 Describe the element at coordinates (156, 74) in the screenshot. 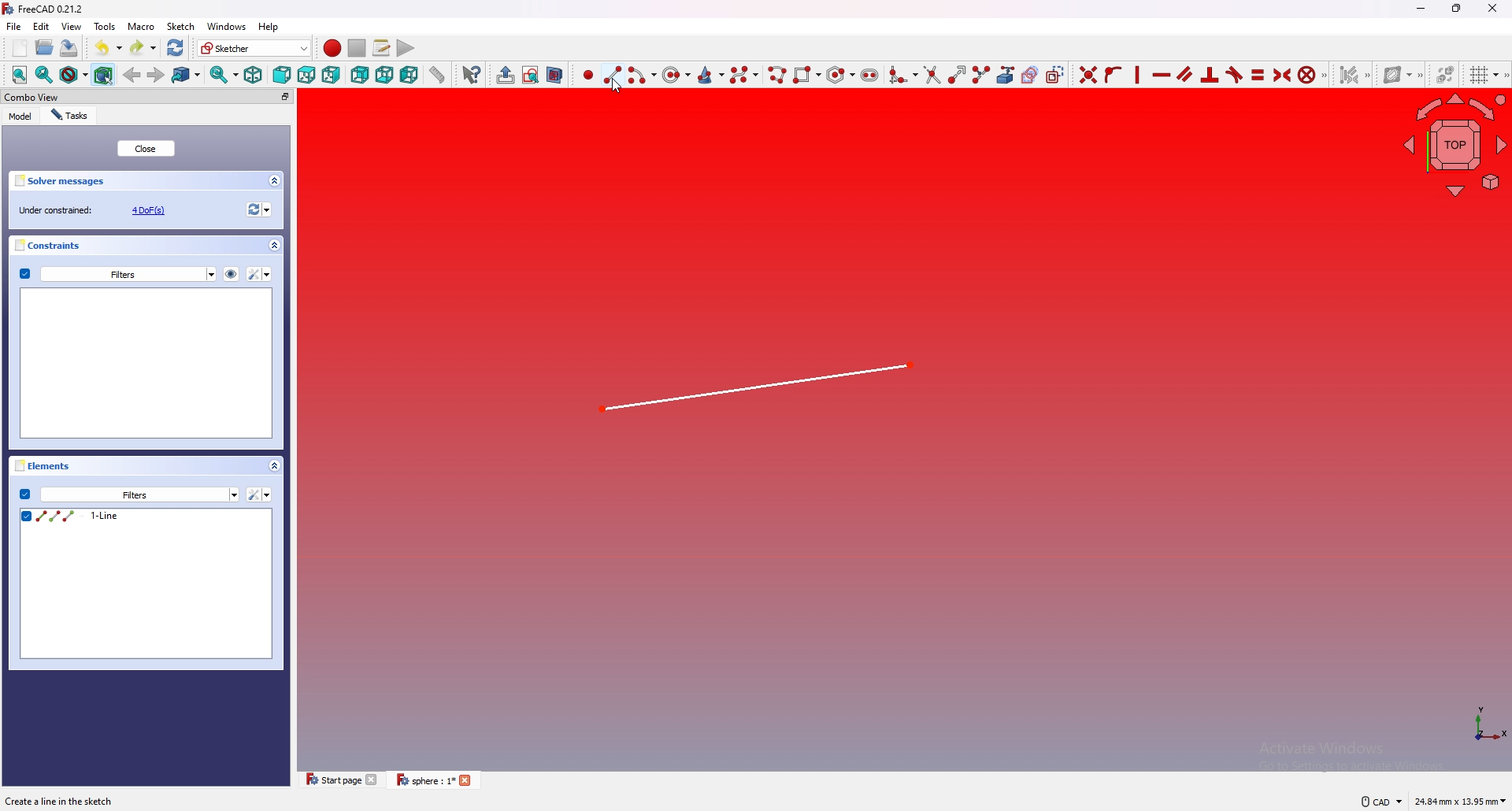

I see `Forward` at that location.